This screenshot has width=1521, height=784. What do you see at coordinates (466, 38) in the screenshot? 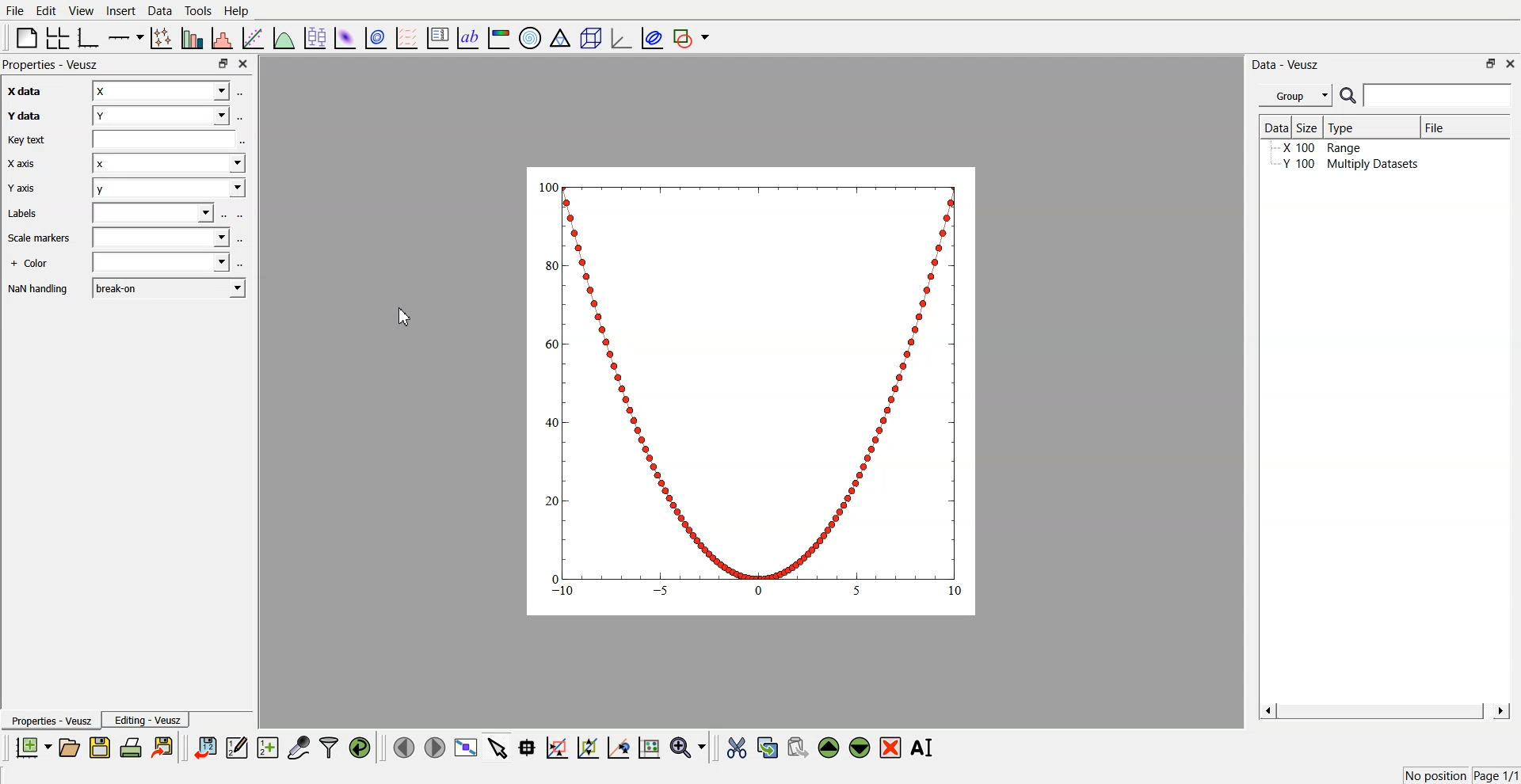
I see `text label` at bounding box center [466, 38].